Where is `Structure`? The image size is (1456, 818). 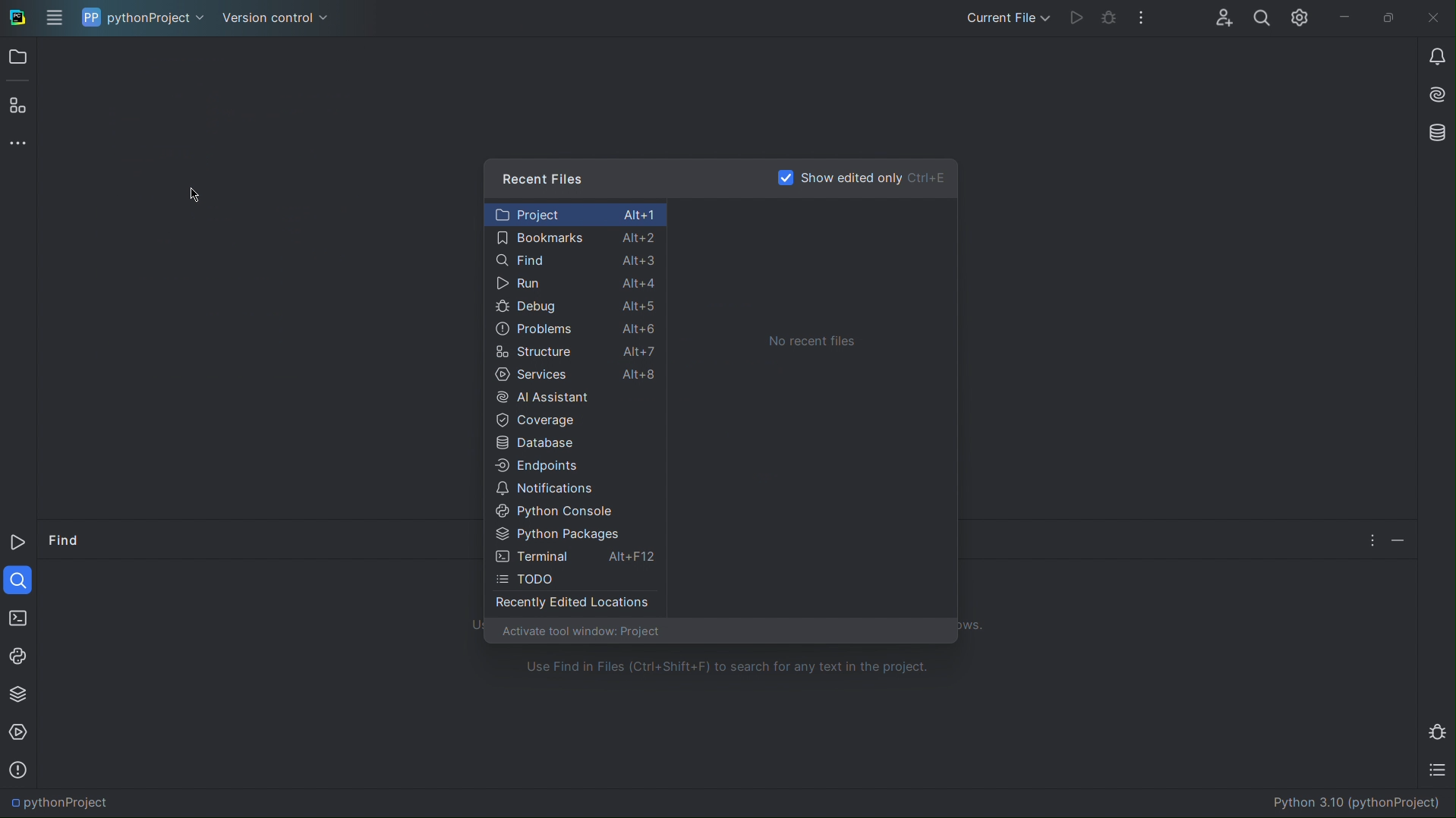
Structure is located at coordinates (15, 104).